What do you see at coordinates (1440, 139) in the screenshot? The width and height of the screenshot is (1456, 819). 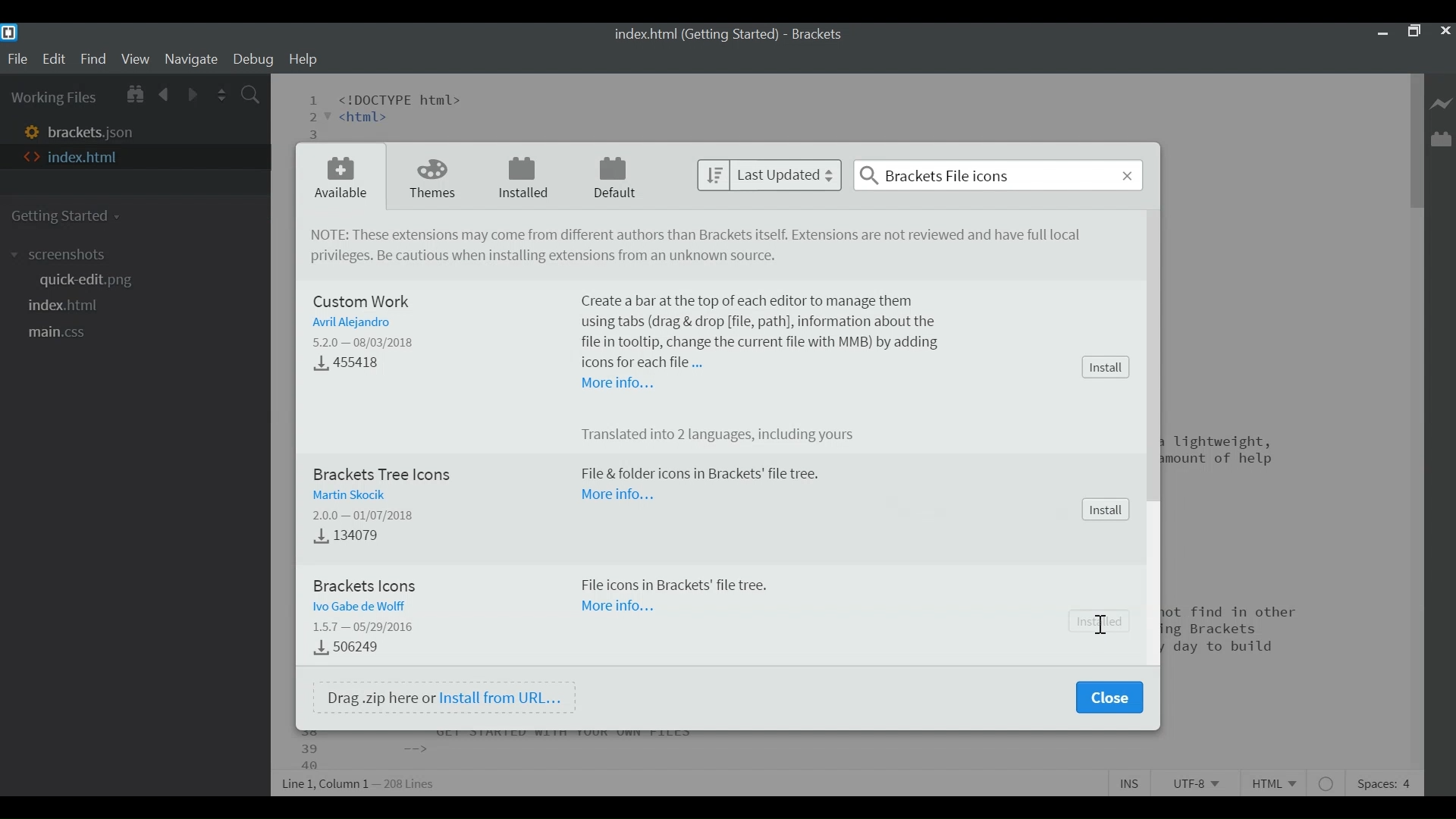 I see `Manage Extension` at bounding box center [1440, 139].